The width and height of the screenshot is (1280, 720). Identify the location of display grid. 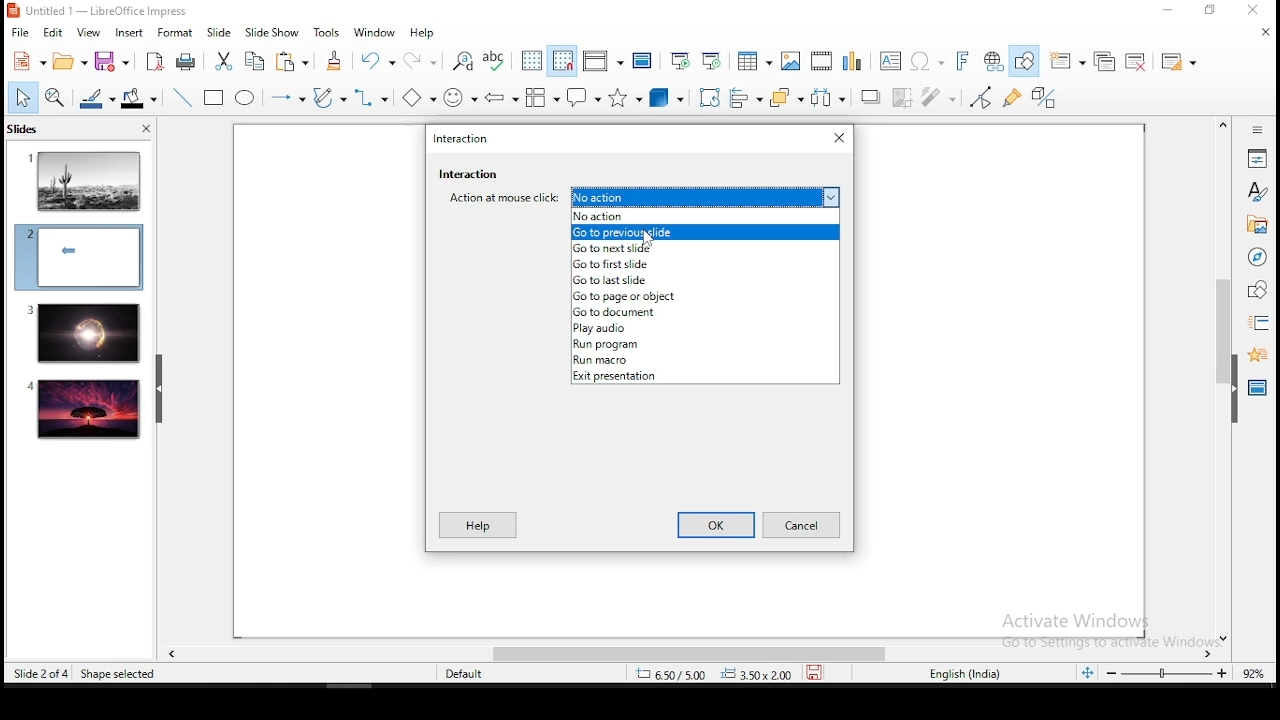
(531, 60).